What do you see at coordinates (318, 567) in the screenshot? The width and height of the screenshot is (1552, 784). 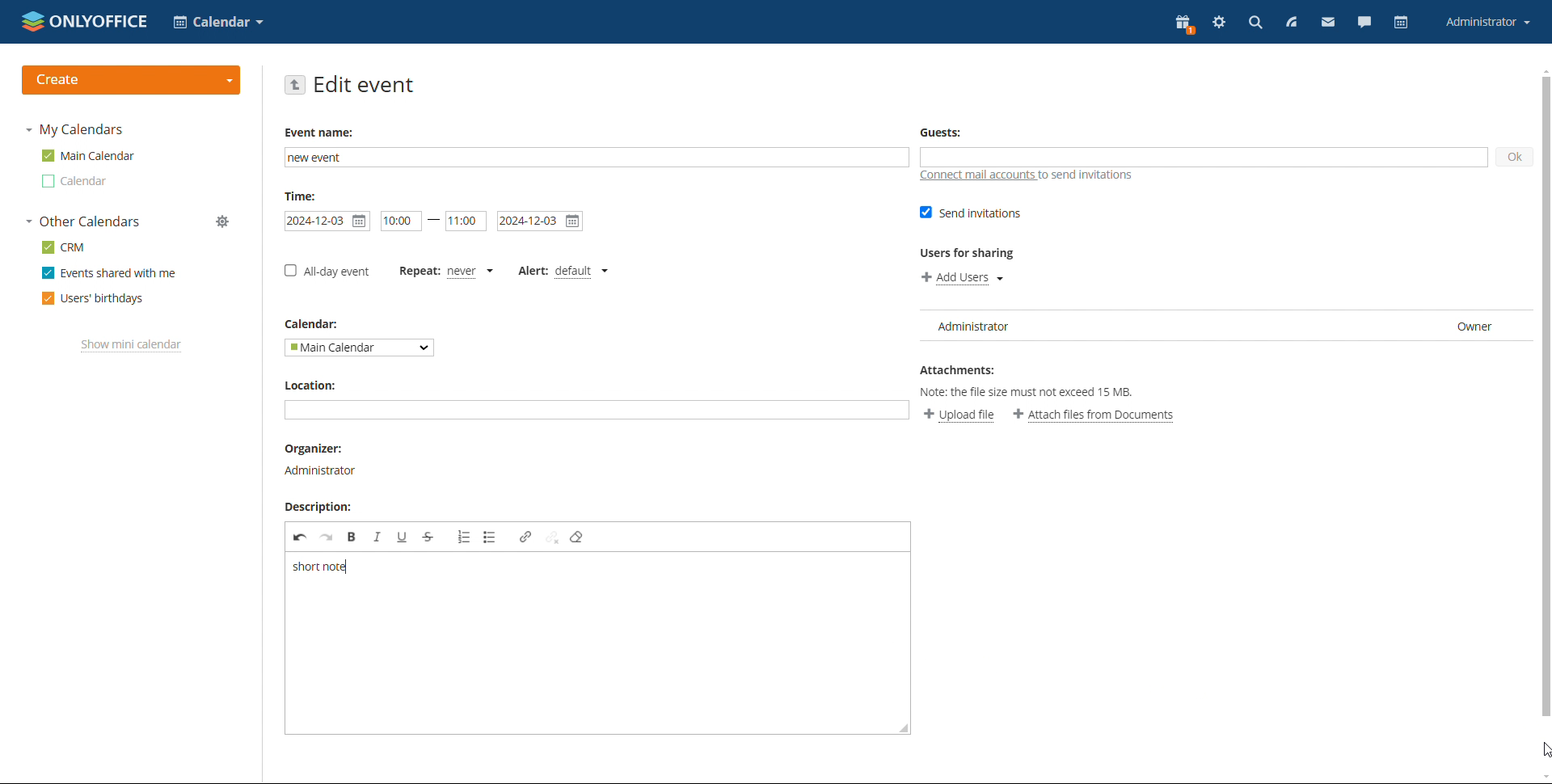 I see `note typed in` at bounding box center [318, 567].